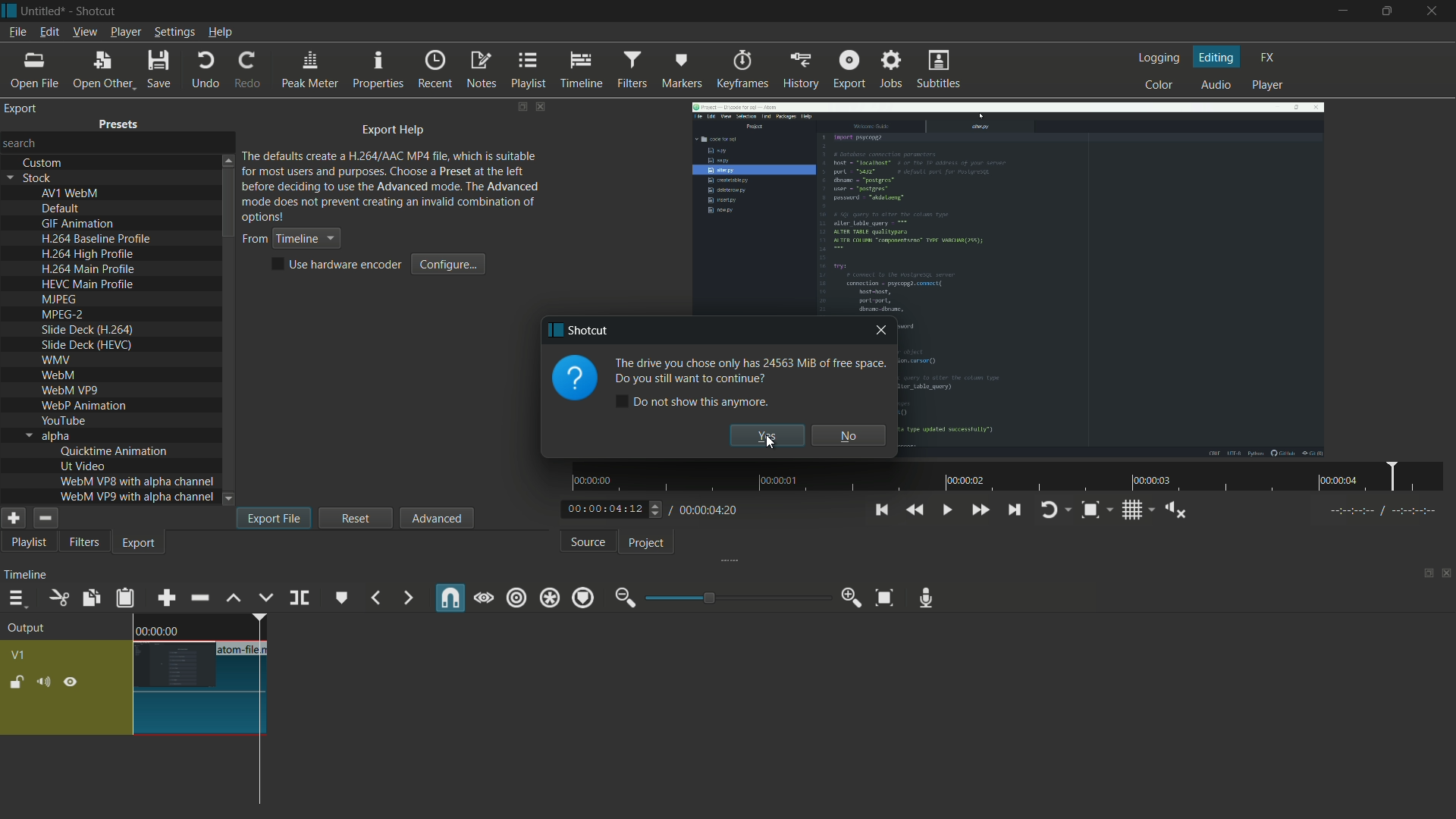 This screenshot has width=1456, height=819. What do you see at coordinates (649, 544) in the screenshot?
I see `project` at bounding box center [649, 544].